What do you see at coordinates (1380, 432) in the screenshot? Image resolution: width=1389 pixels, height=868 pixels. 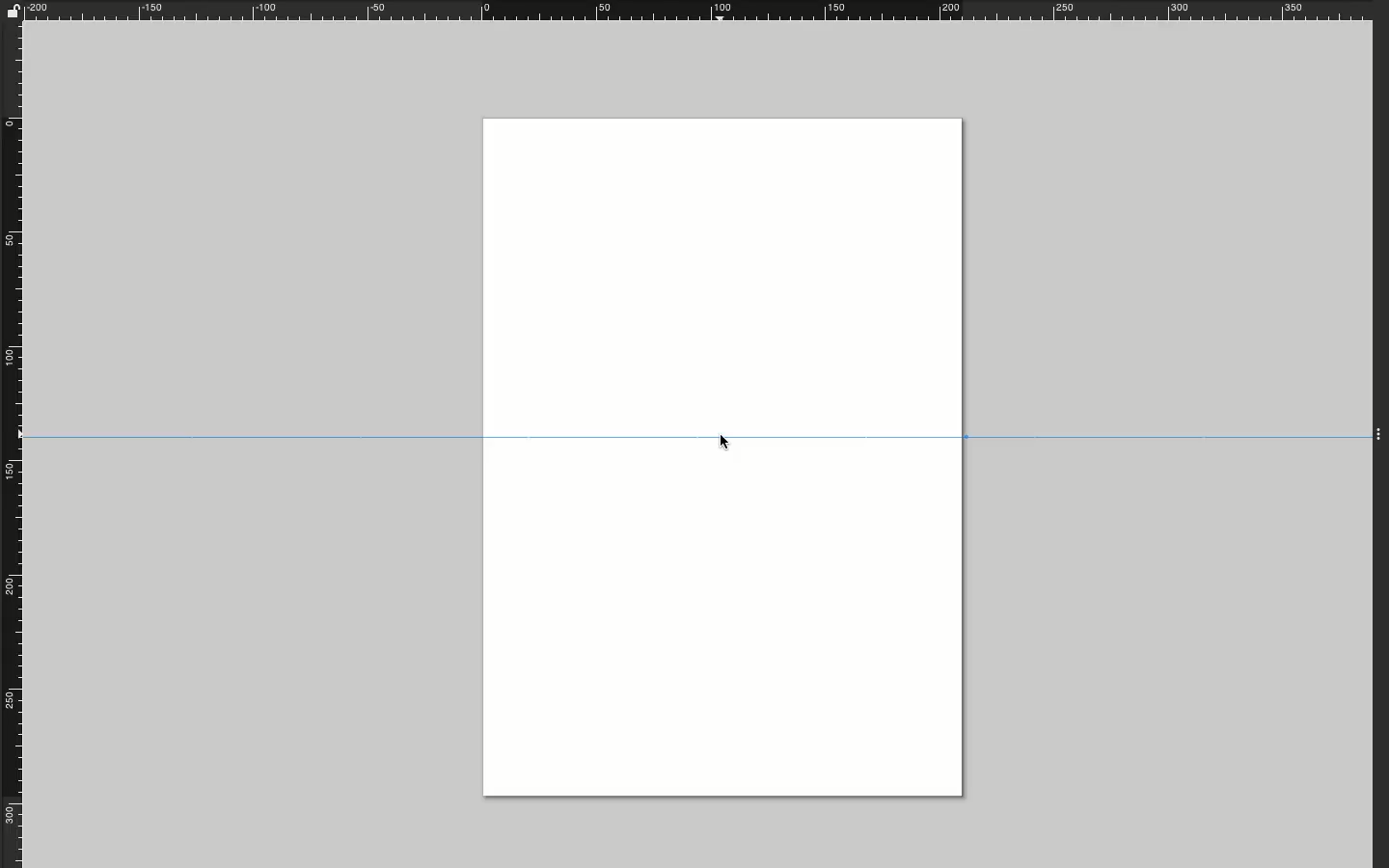 I see `Expand` at bounding box center [1380, 432].